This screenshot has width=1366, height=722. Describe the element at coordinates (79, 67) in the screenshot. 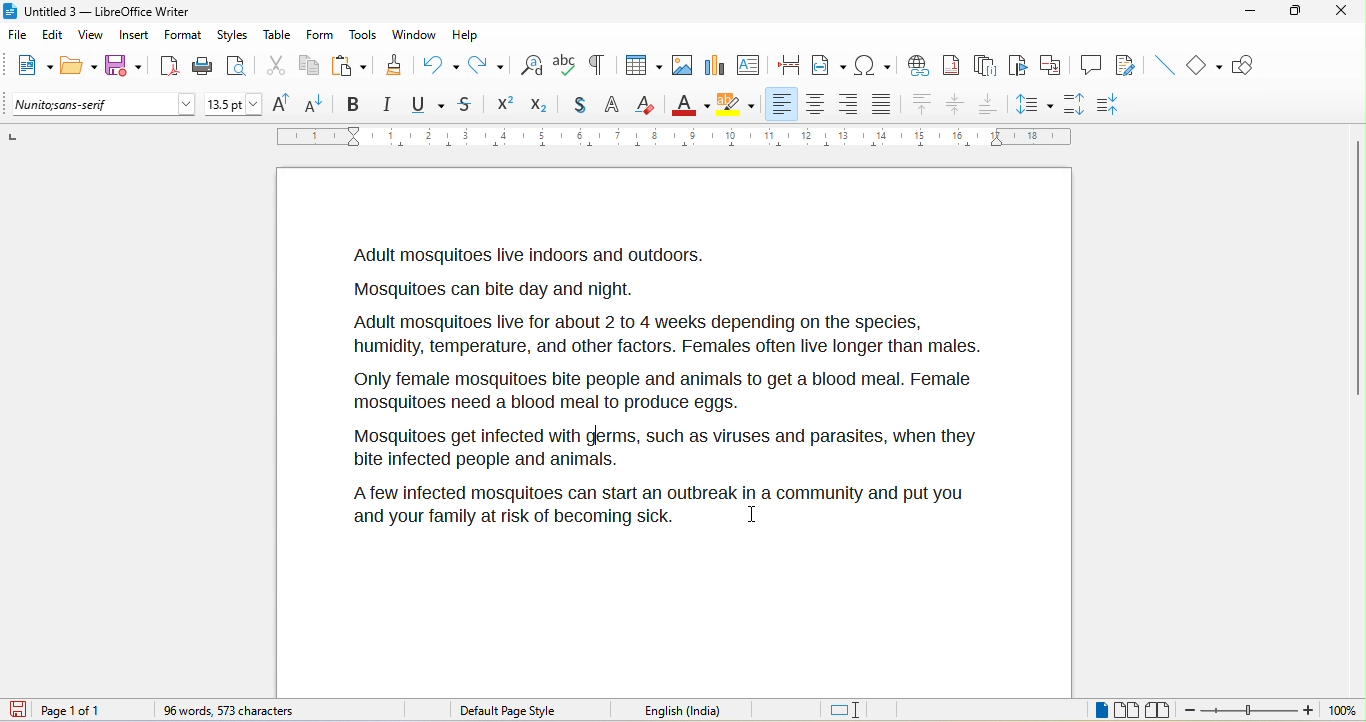

I see `open` at that location.